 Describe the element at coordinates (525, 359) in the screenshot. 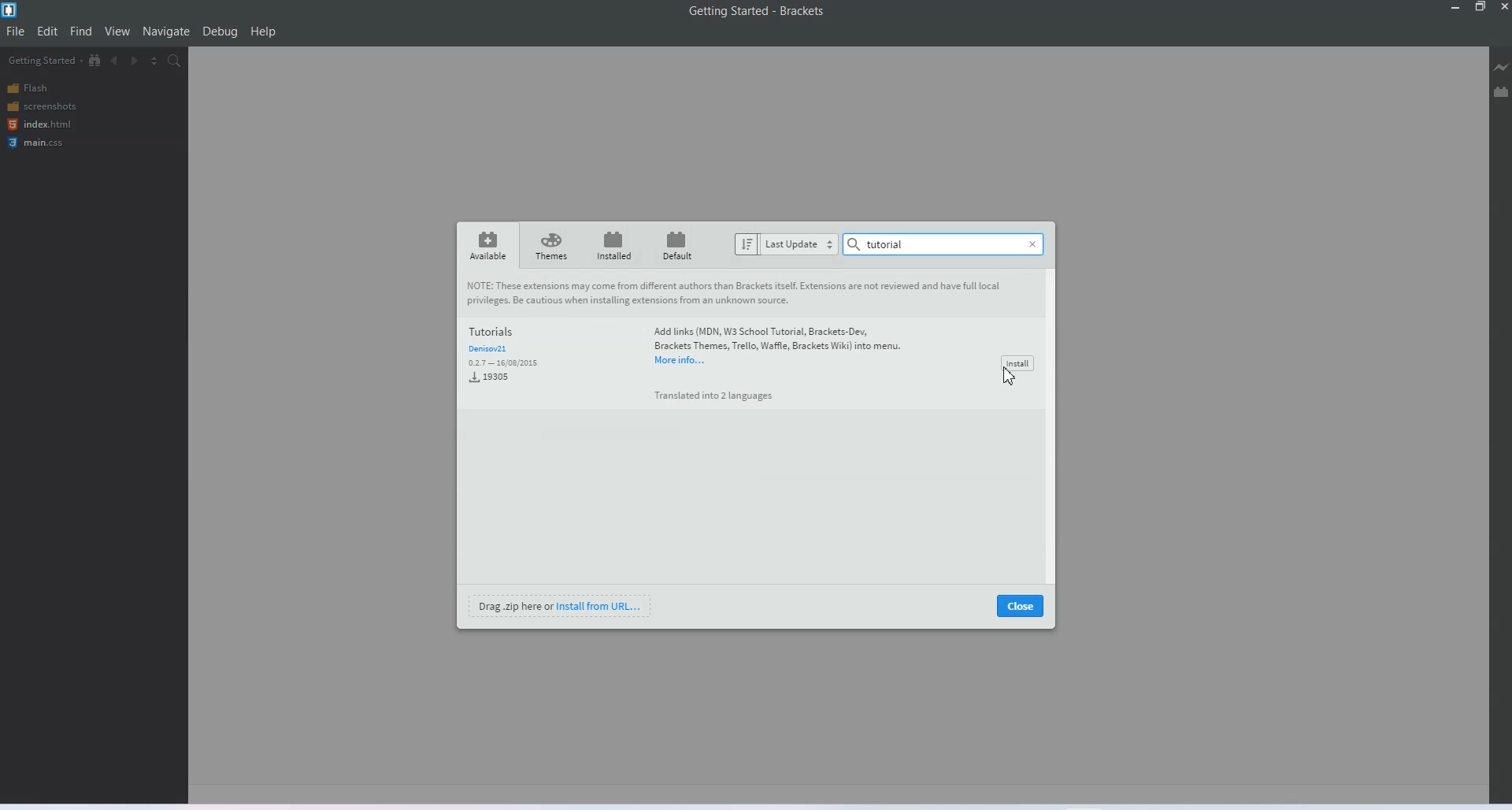

I see `Tutorials and Download data` at that location.